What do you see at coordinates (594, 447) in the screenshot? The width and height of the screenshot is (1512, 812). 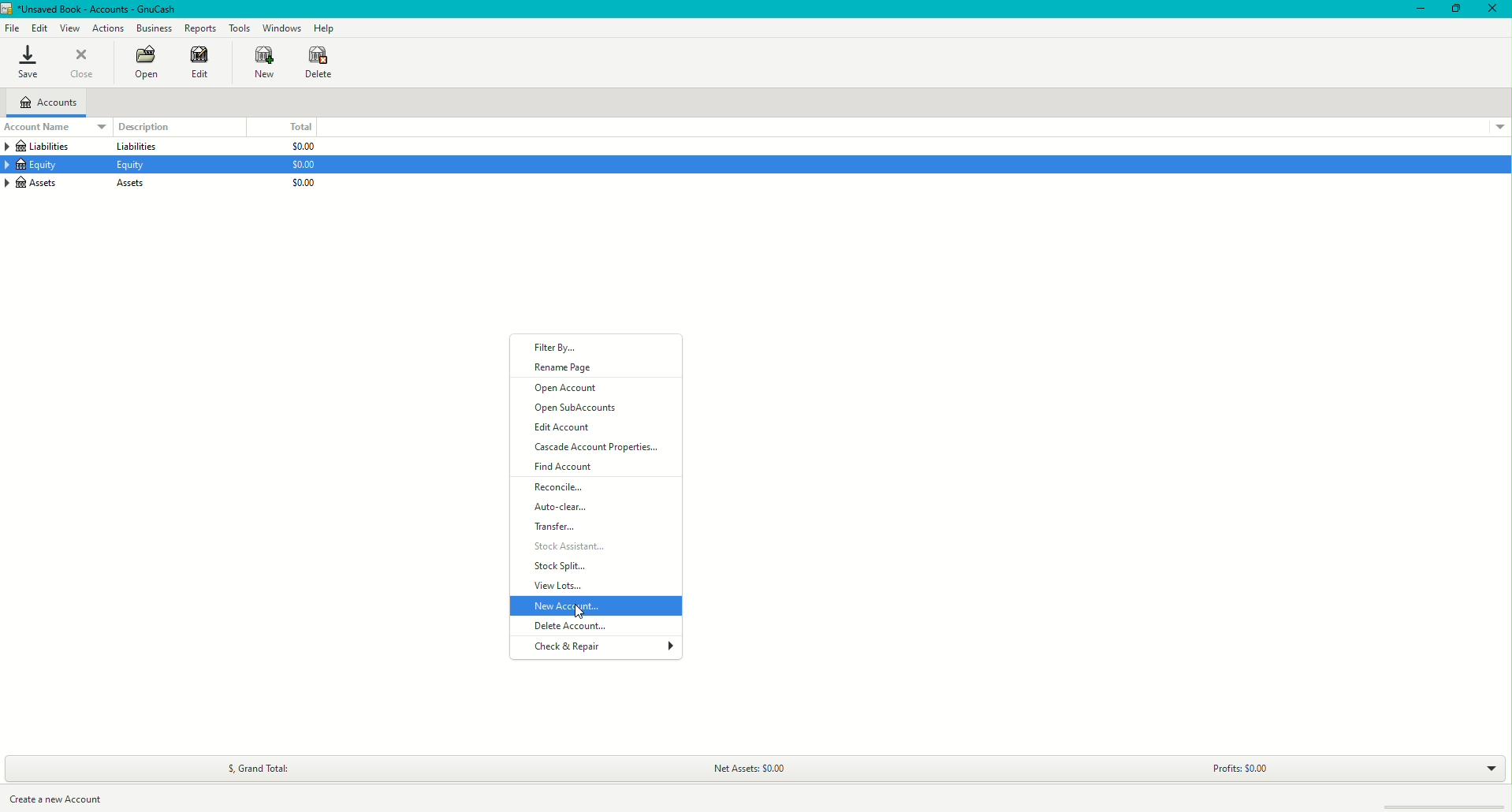 I see `Cascade Account Properties` at bounding box center [594, 447].